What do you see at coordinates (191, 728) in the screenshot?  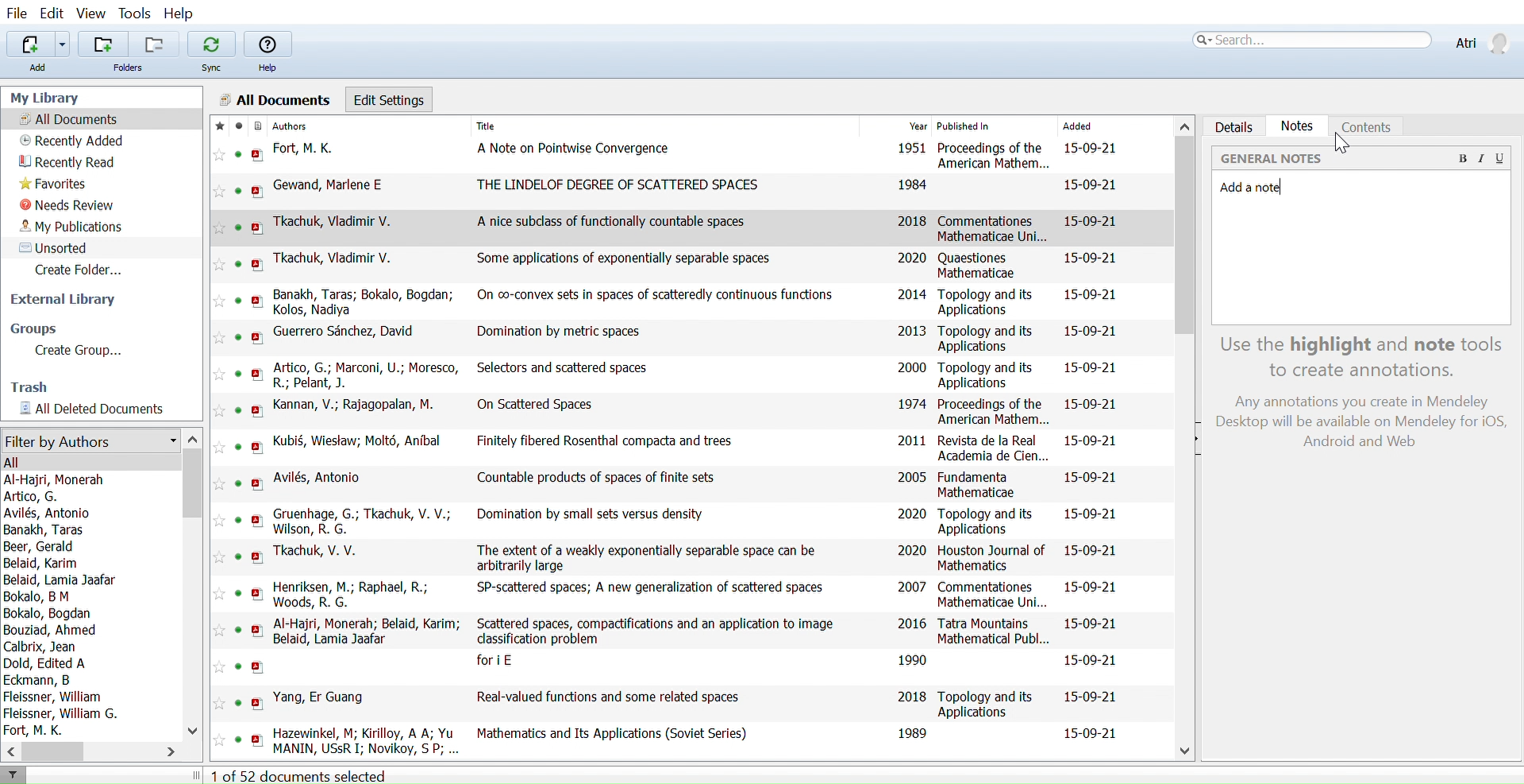 I see `Move down in filter by authors` at bounding box center [191, 728].